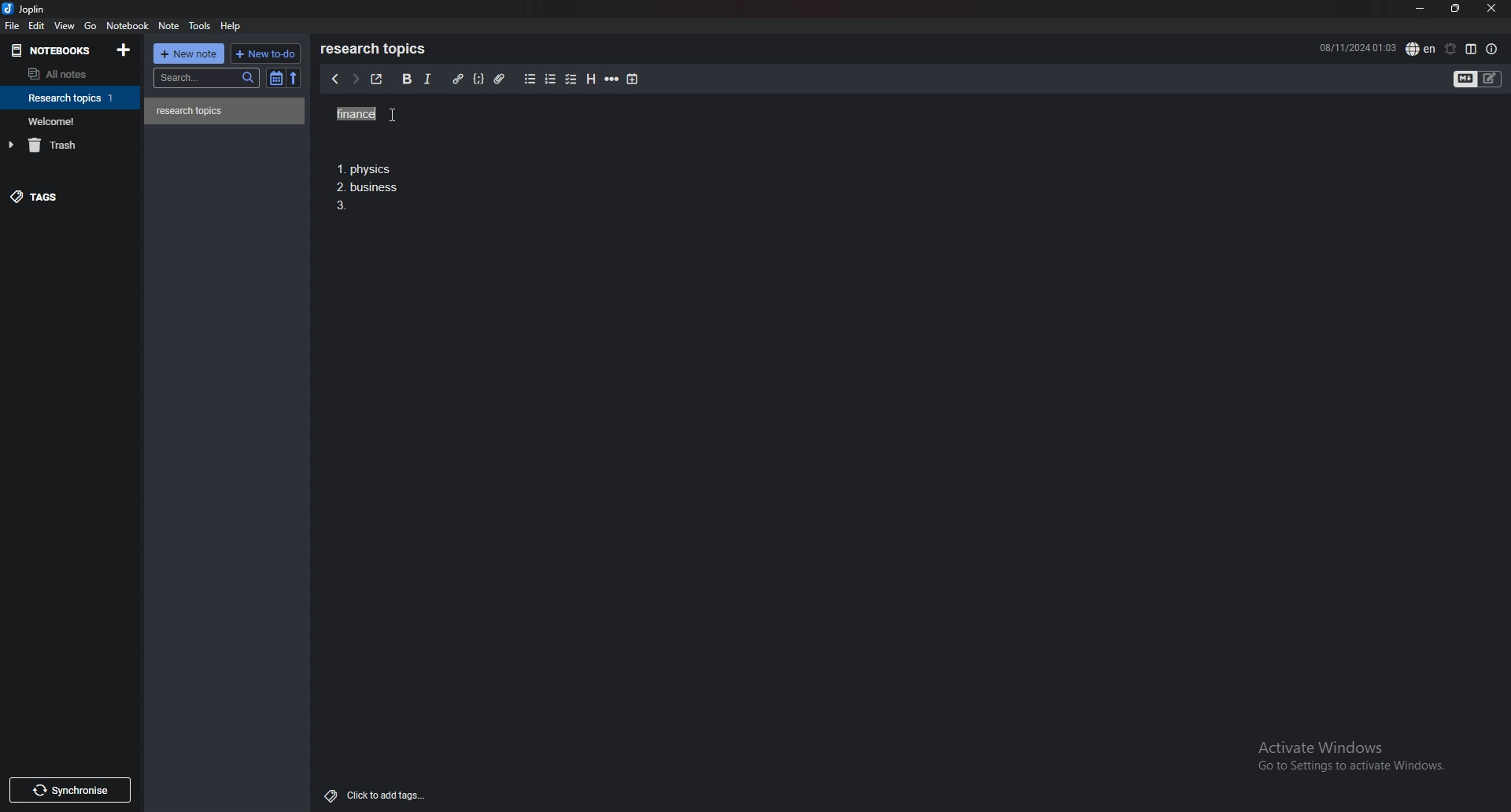 This screenshot has width=1511, height=812. What do you see at coordinates (67, 200) in the screenshot?
I see `tags` at bounding box center [67, 200].